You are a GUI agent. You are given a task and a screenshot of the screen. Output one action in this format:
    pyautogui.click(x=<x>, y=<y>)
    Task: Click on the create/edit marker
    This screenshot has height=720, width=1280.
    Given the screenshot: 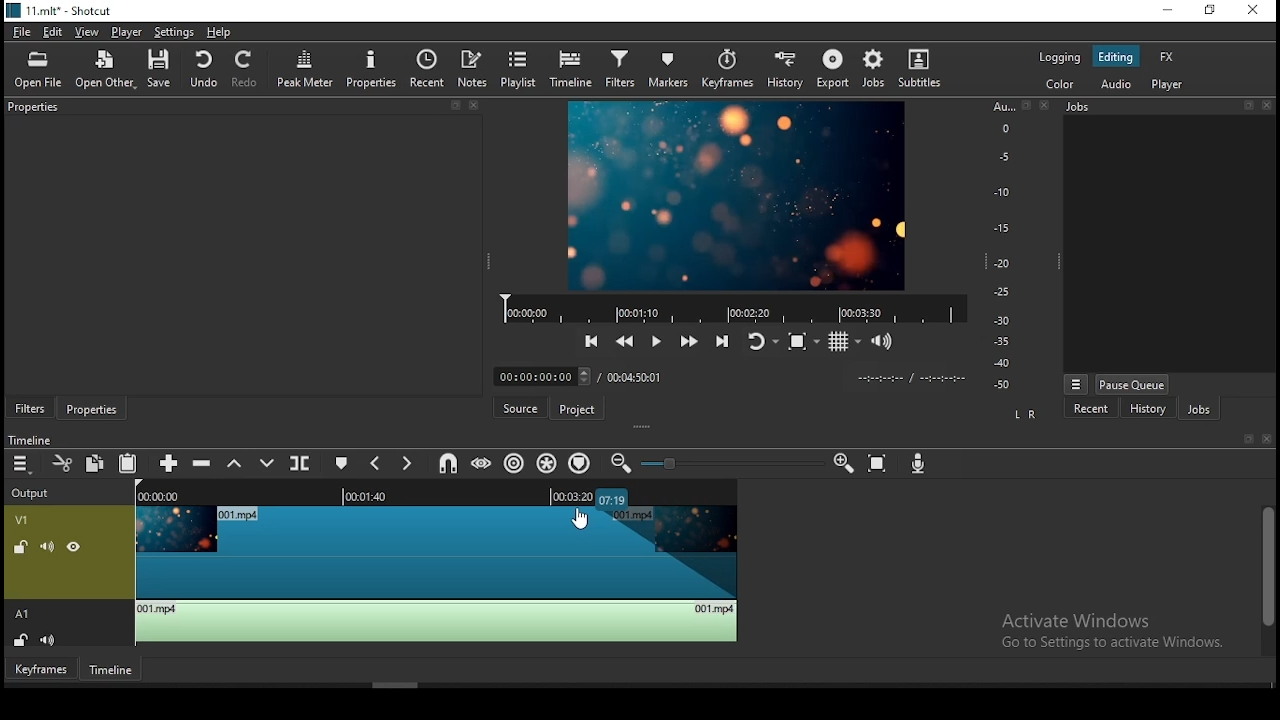 What is the action you would take?
    pyautogui.click(x=341, y=463)
    